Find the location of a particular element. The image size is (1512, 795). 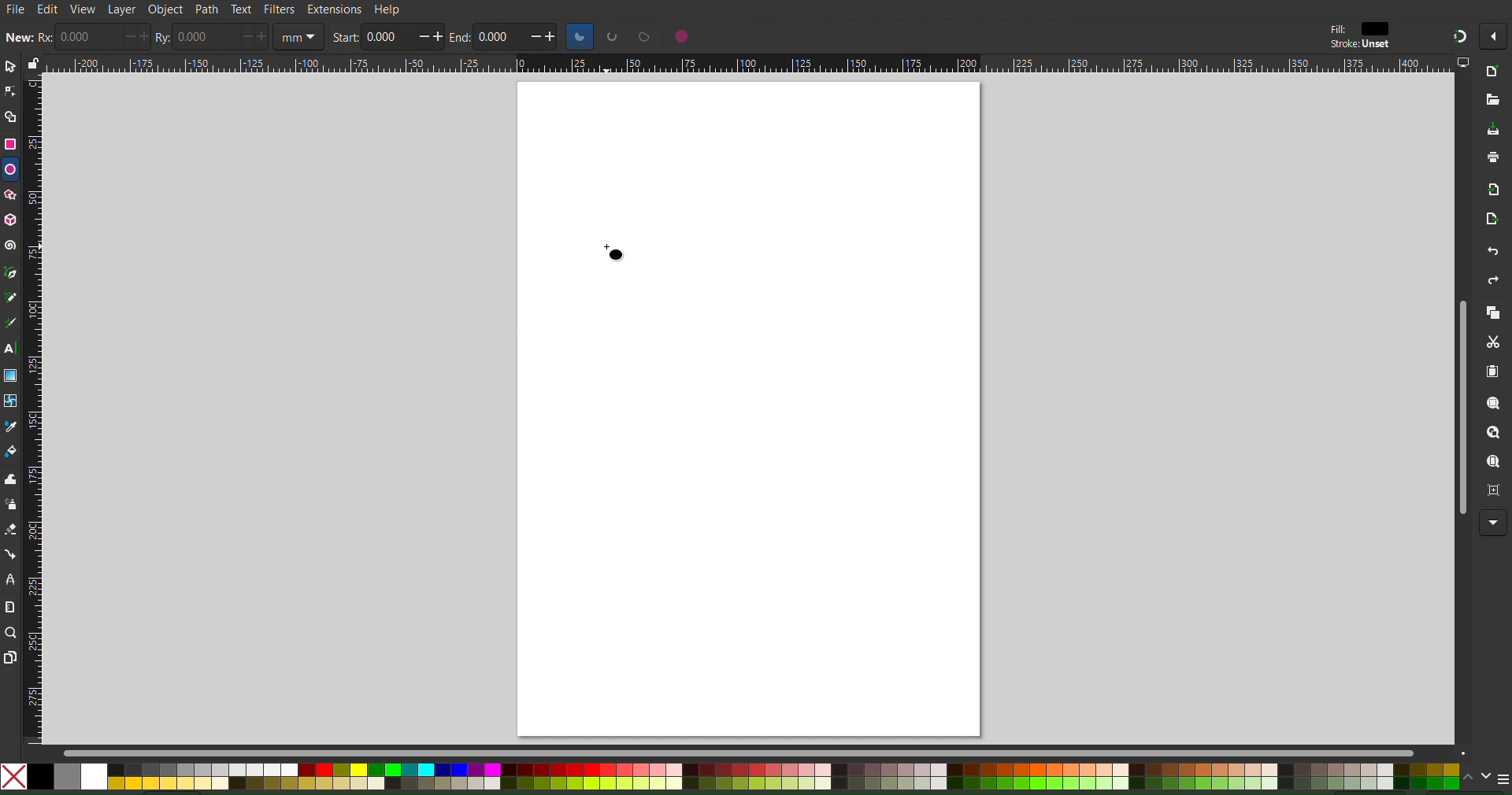

0 is located at coordinates (85, 35).